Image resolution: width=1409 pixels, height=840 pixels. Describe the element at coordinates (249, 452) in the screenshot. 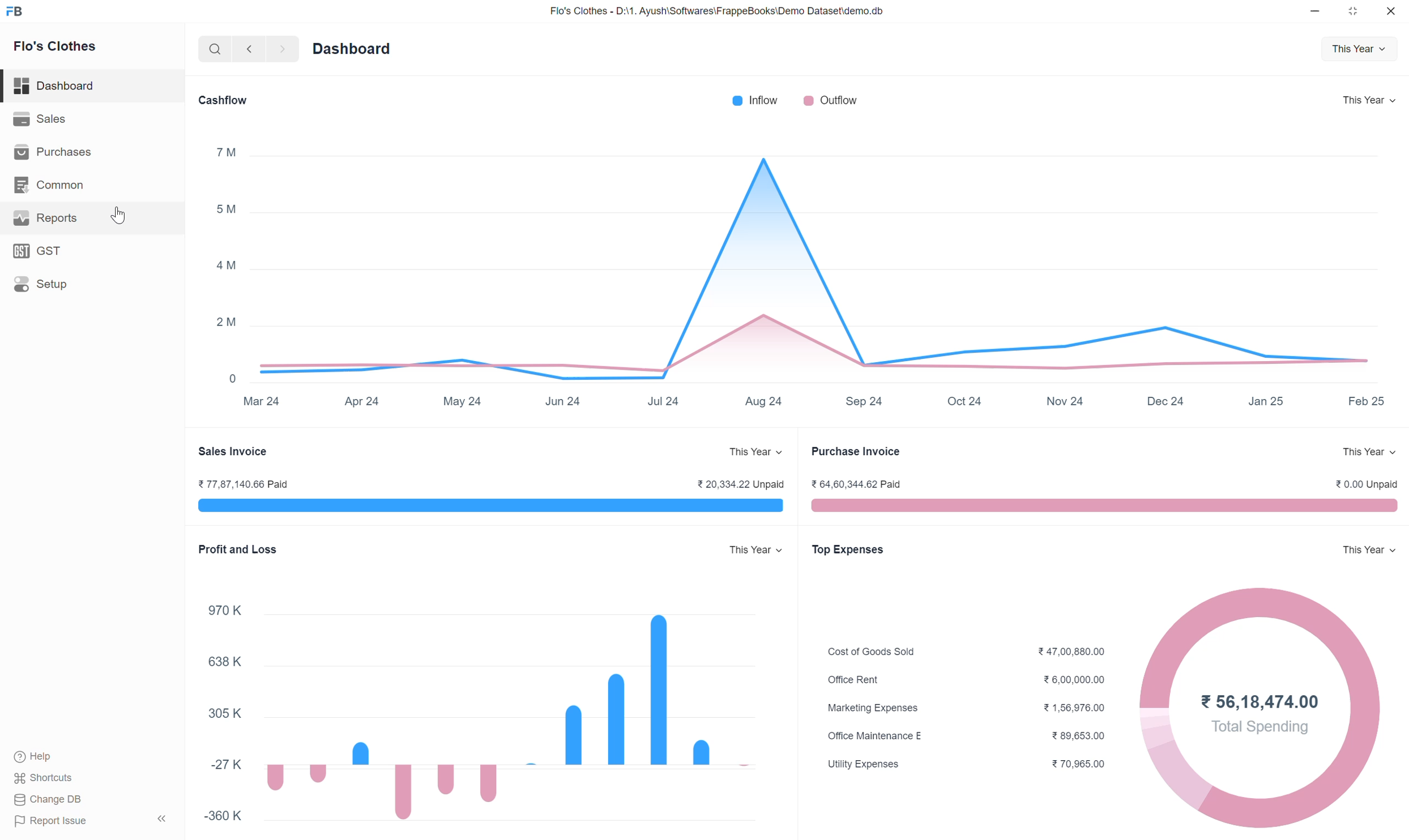

I see `sales invoice` at that location.